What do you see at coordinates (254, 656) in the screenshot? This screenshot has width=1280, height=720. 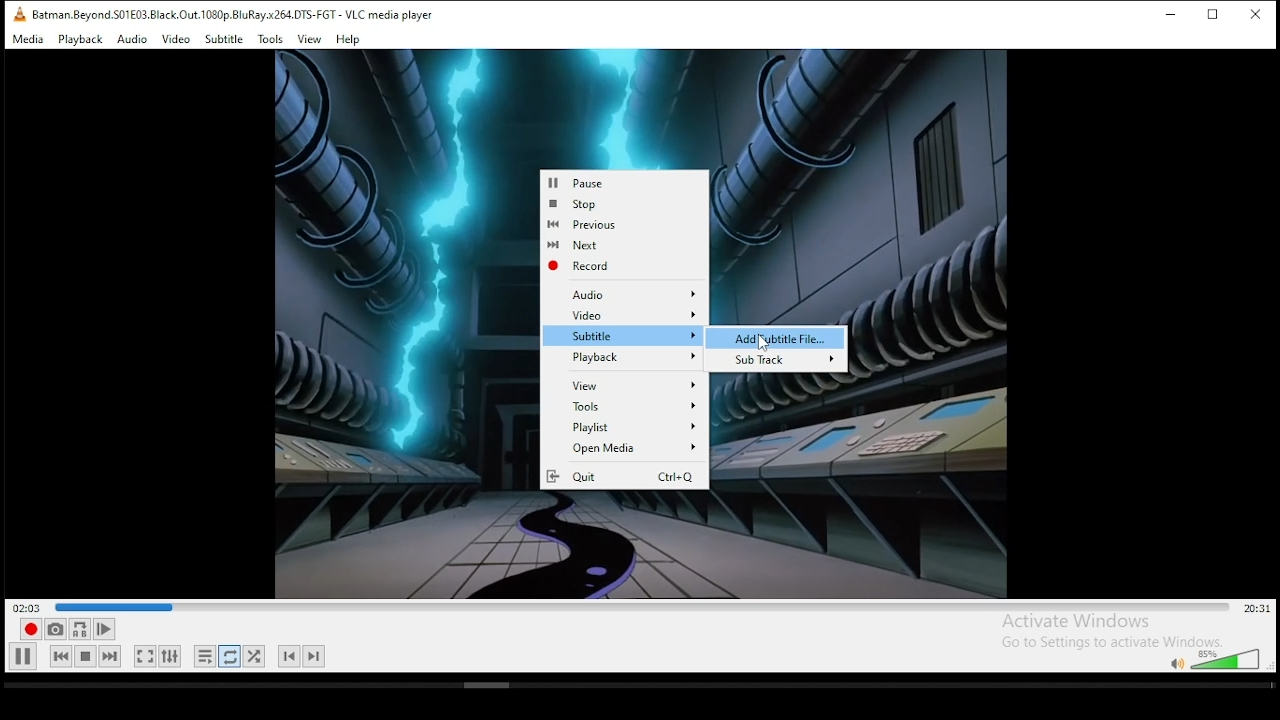 I see `random` at bounding box center [254, 656].